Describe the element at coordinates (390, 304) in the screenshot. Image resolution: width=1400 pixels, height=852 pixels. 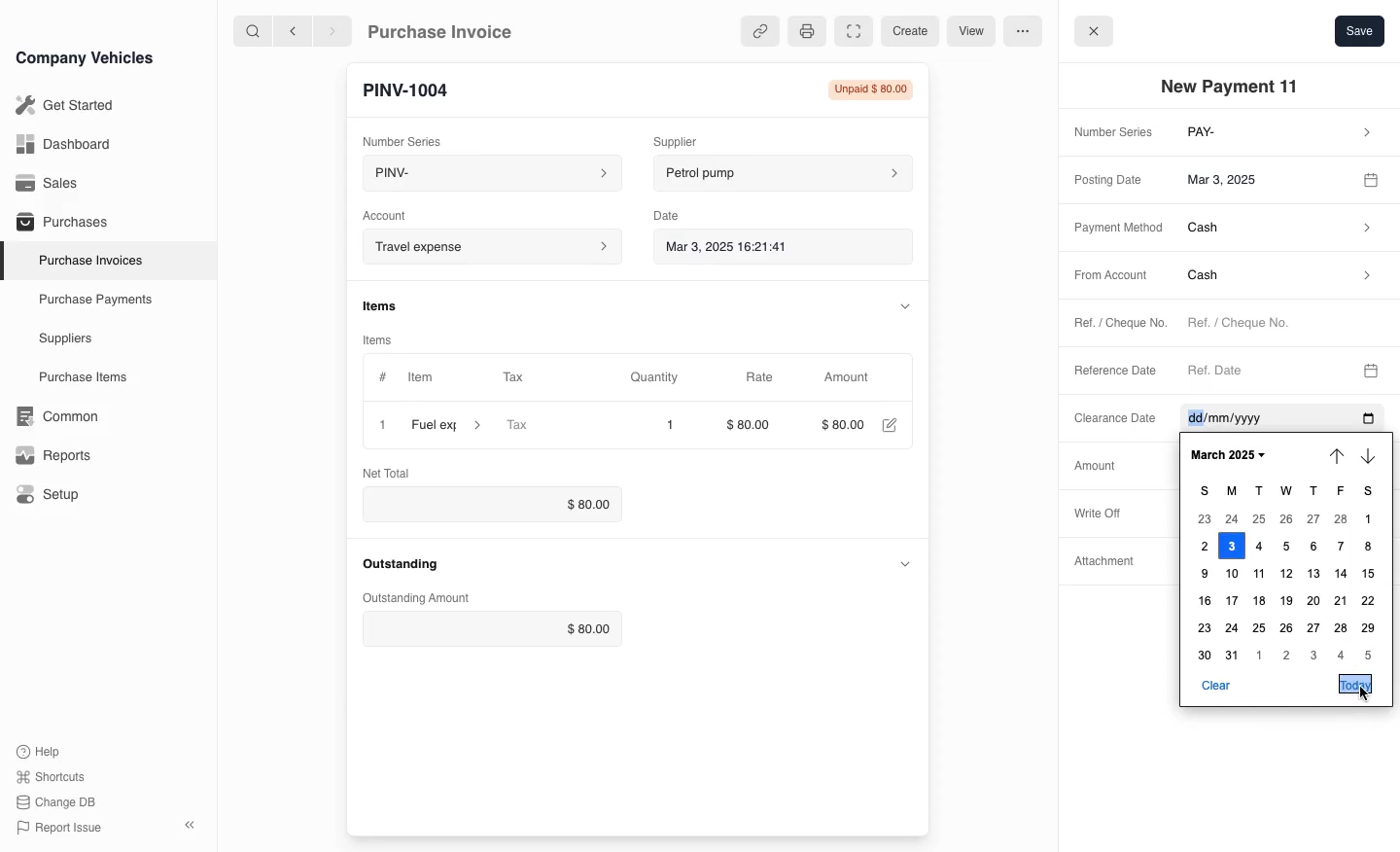
I see `items` at that location.